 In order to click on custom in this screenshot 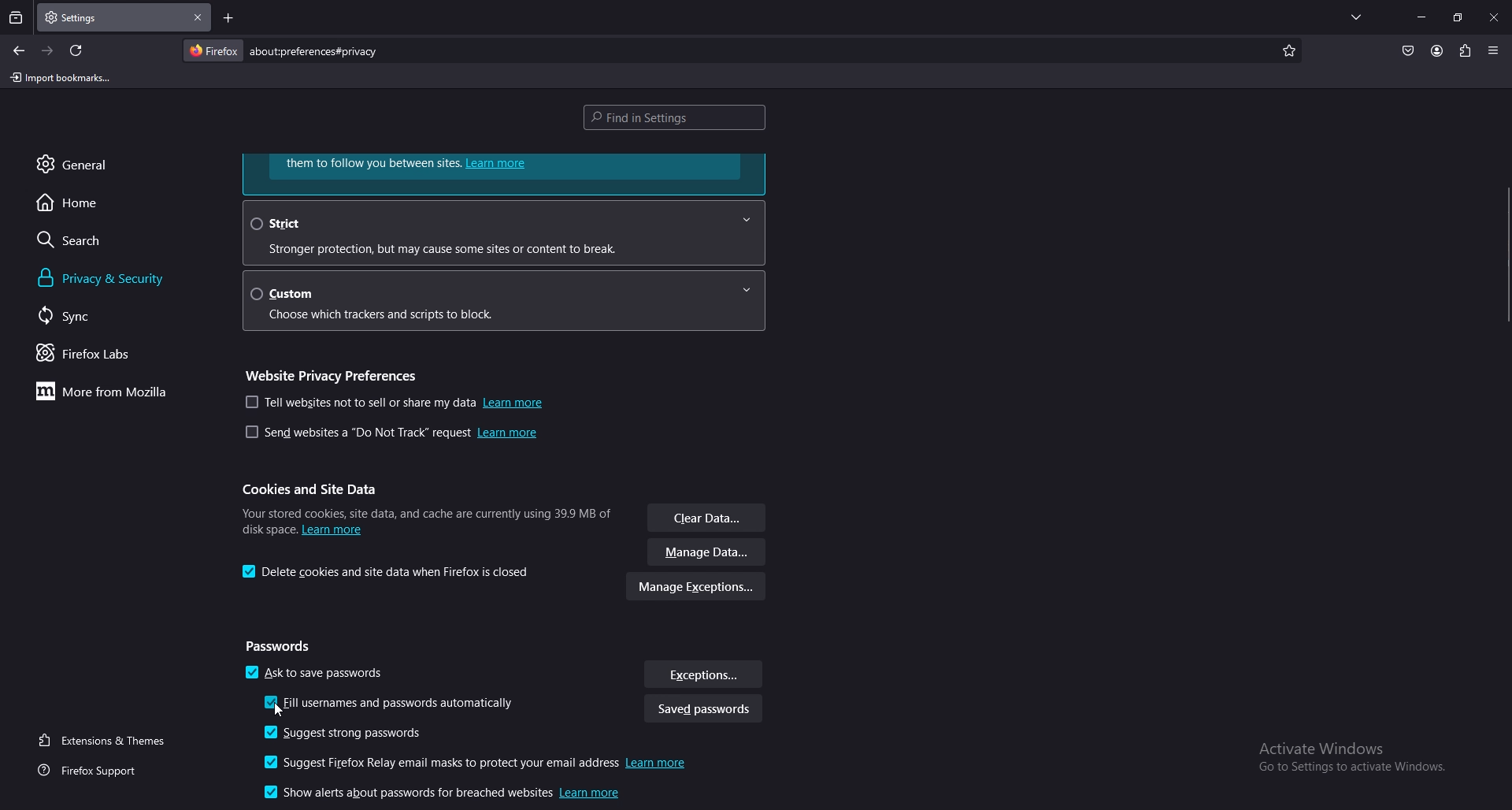, I will do `click(506, 302)`.